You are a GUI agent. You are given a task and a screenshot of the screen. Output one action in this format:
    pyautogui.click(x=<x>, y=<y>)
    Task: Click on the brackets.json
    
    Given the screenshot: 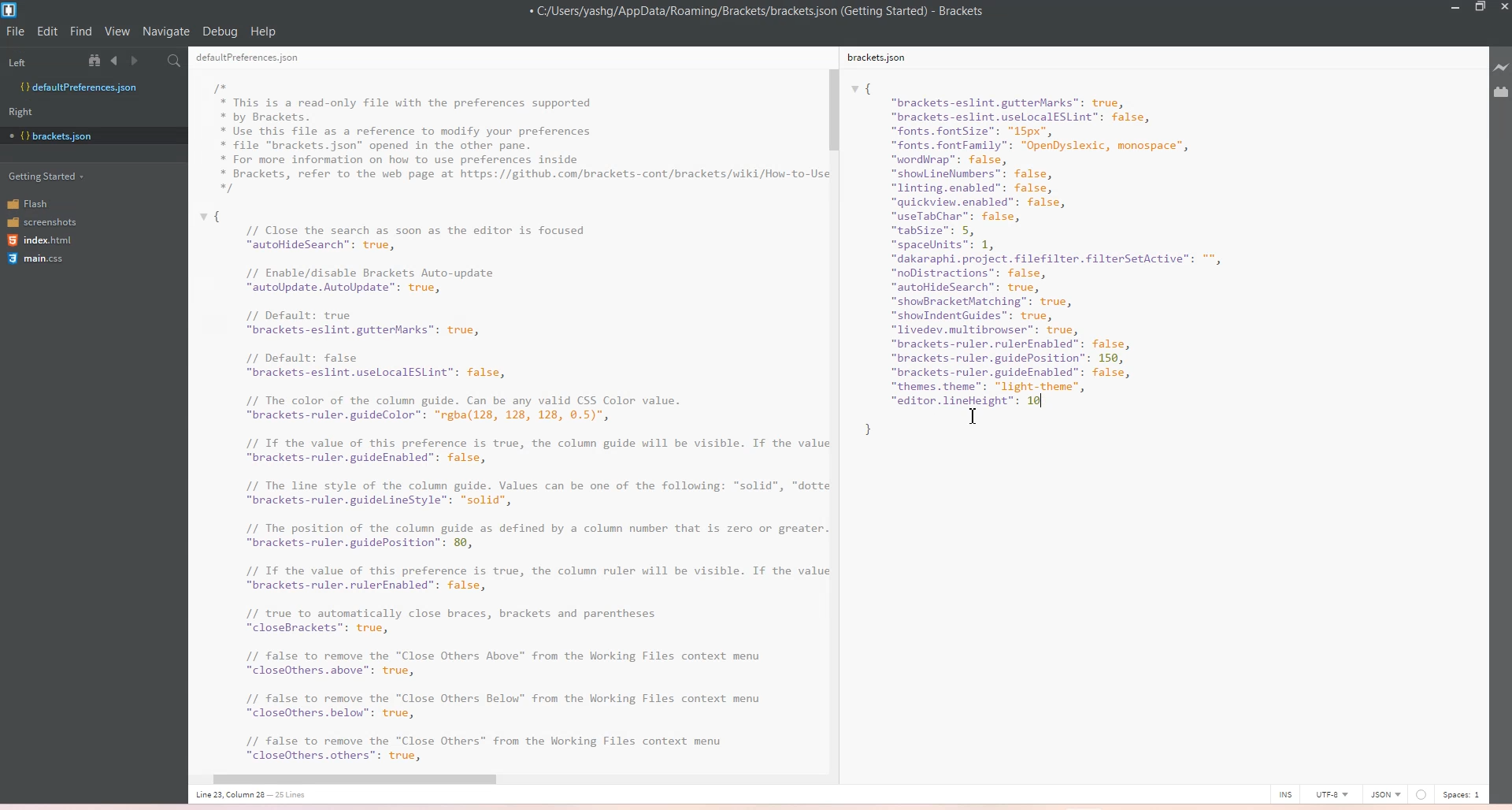 What is the action you would take?
    pyautogui.click(x=879, y=58)
    